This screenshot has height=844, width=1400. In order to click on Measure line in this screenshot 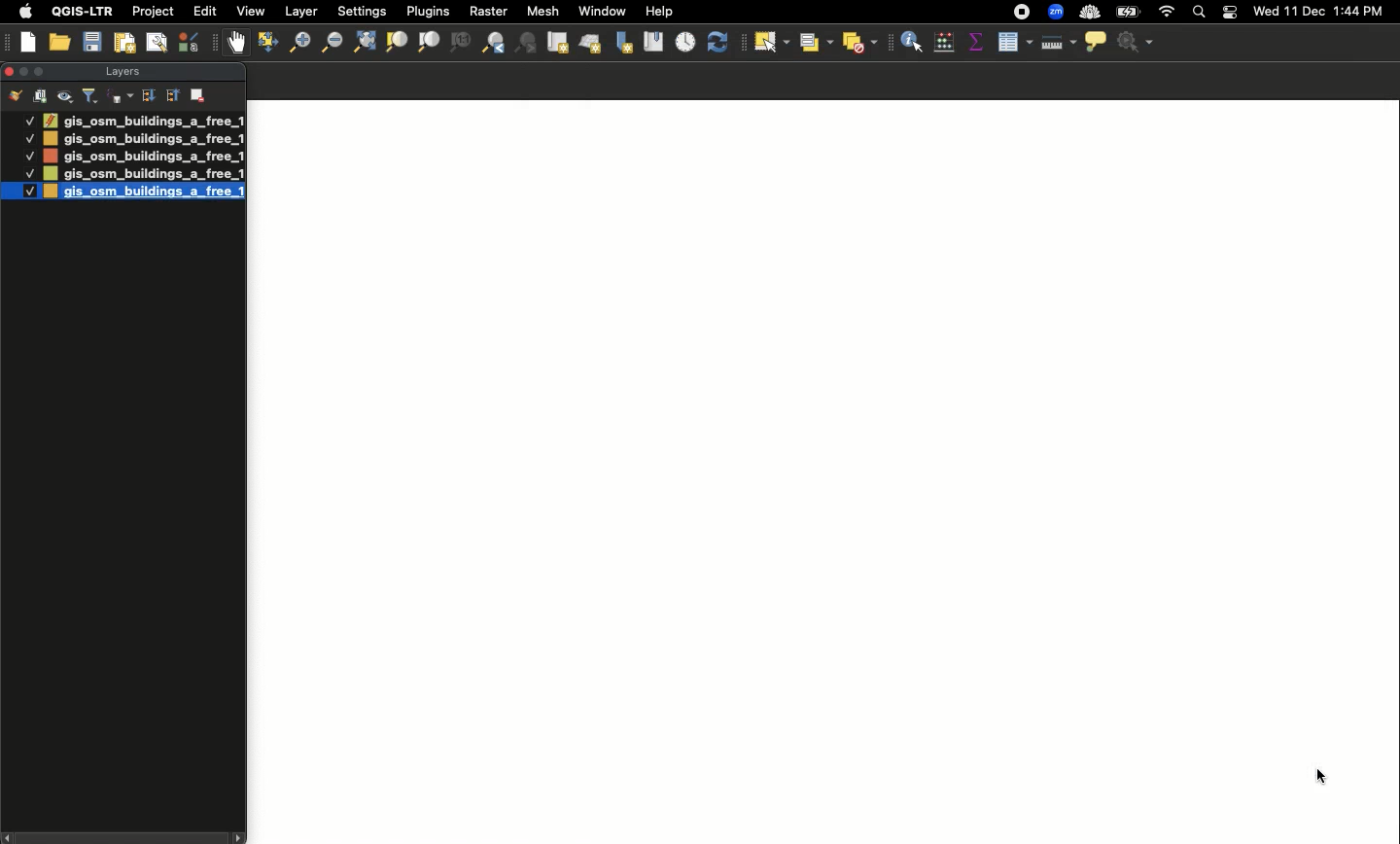, I will do `click(1057, 43)`.